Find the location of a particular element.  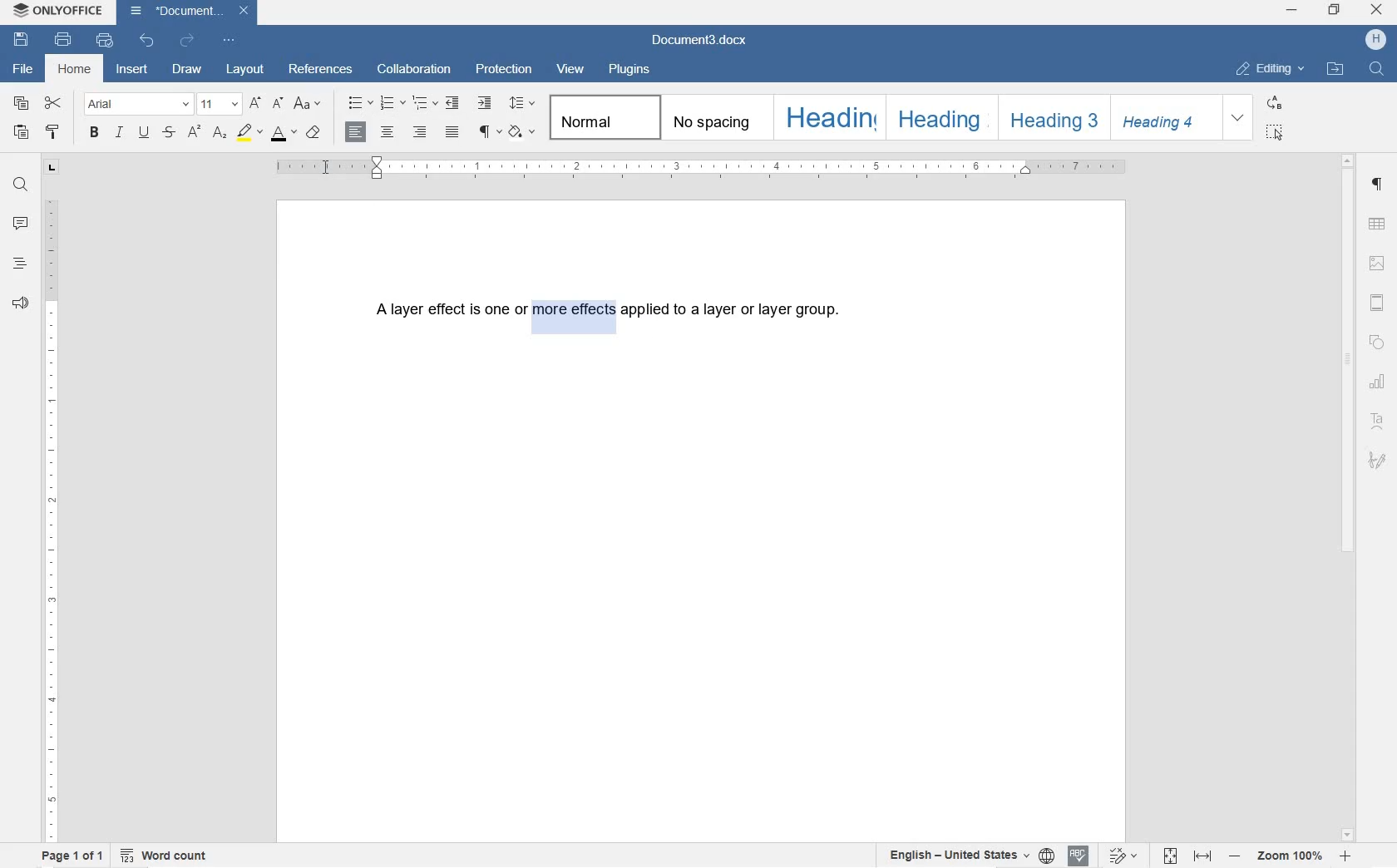

document3.docx is located at coordinates (187, 11).